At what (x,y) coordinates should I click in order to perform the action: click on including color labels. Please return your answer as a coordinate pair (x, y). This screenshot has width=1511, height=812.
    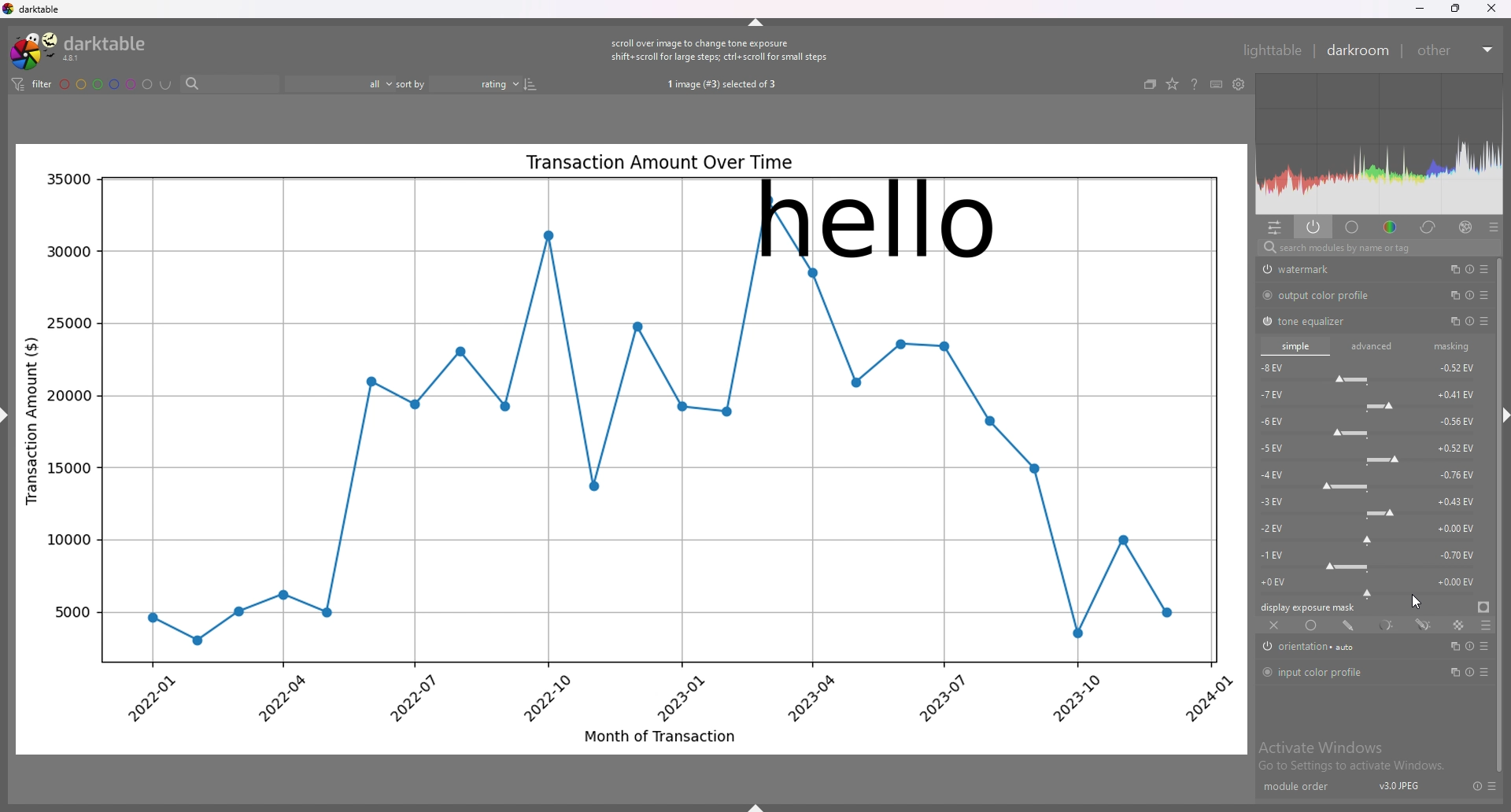
    Looking at the image, I should click on (166, 85).